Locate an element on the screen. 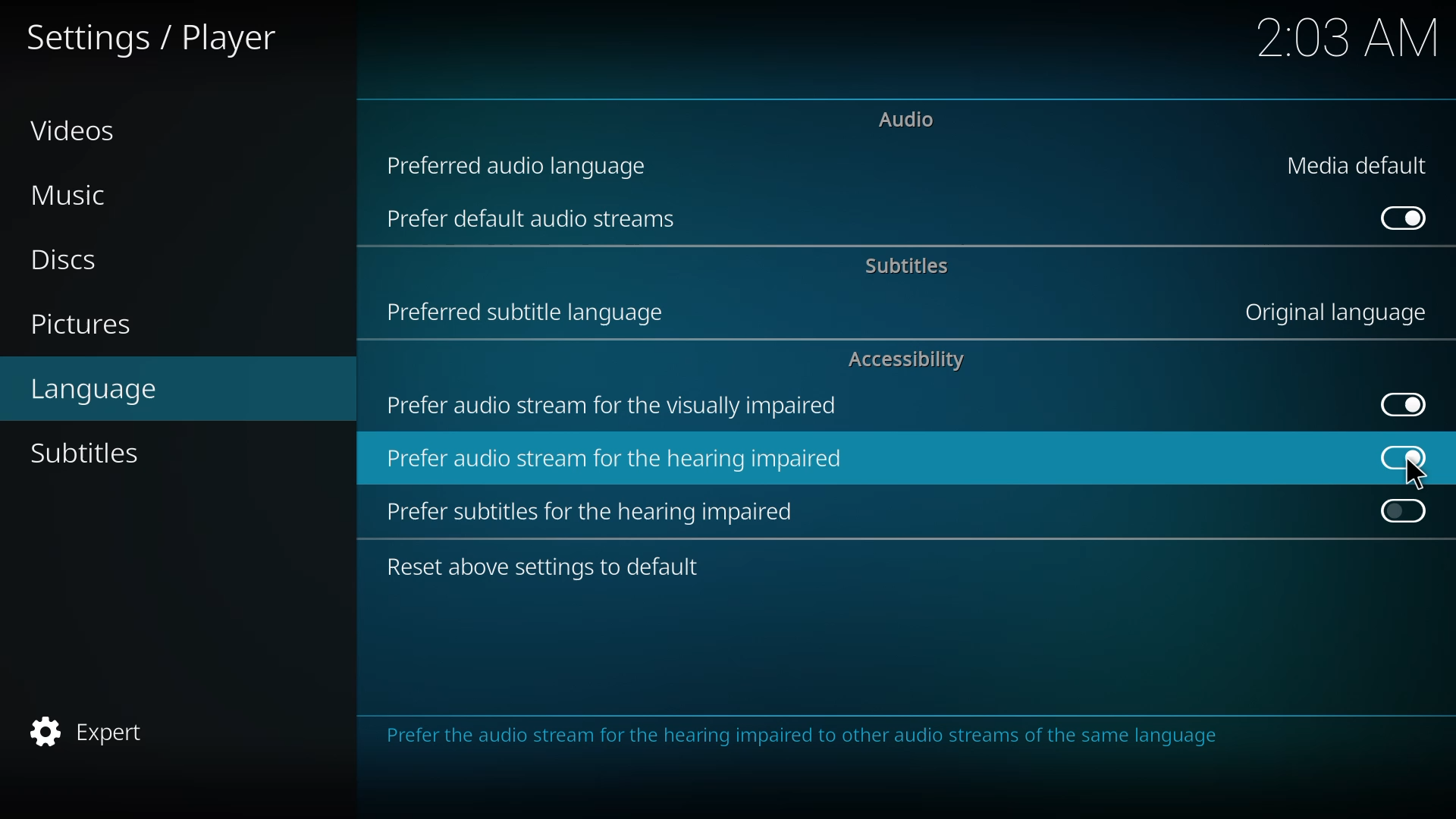  expert is located at coordinates (96, 729).